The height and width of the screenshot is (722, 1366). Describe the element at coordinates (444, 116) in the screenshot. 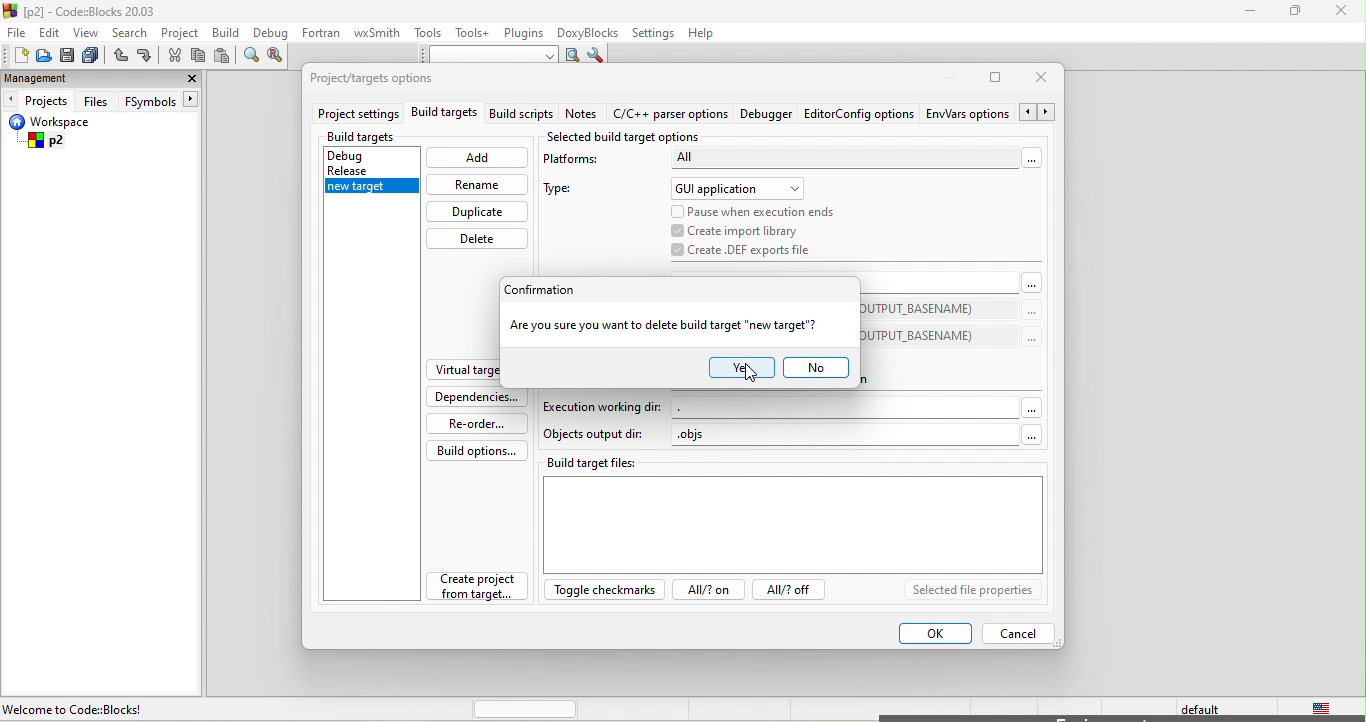

I see `build targets` at that location.